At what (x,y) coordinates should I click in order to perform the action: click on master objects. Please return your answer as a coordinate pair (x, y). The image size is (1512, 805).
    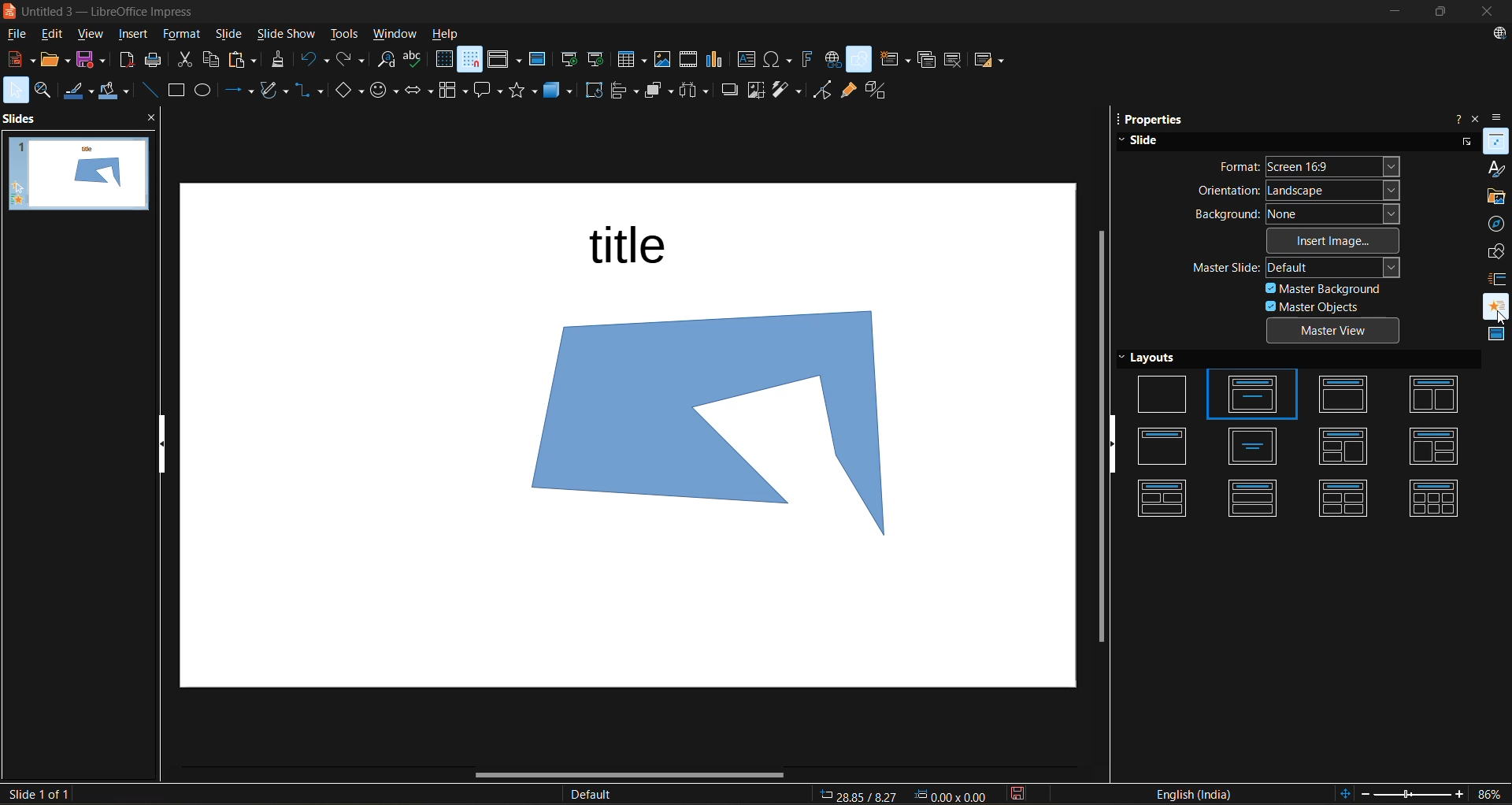
    Looking at the image, I should click on (1319, 306).